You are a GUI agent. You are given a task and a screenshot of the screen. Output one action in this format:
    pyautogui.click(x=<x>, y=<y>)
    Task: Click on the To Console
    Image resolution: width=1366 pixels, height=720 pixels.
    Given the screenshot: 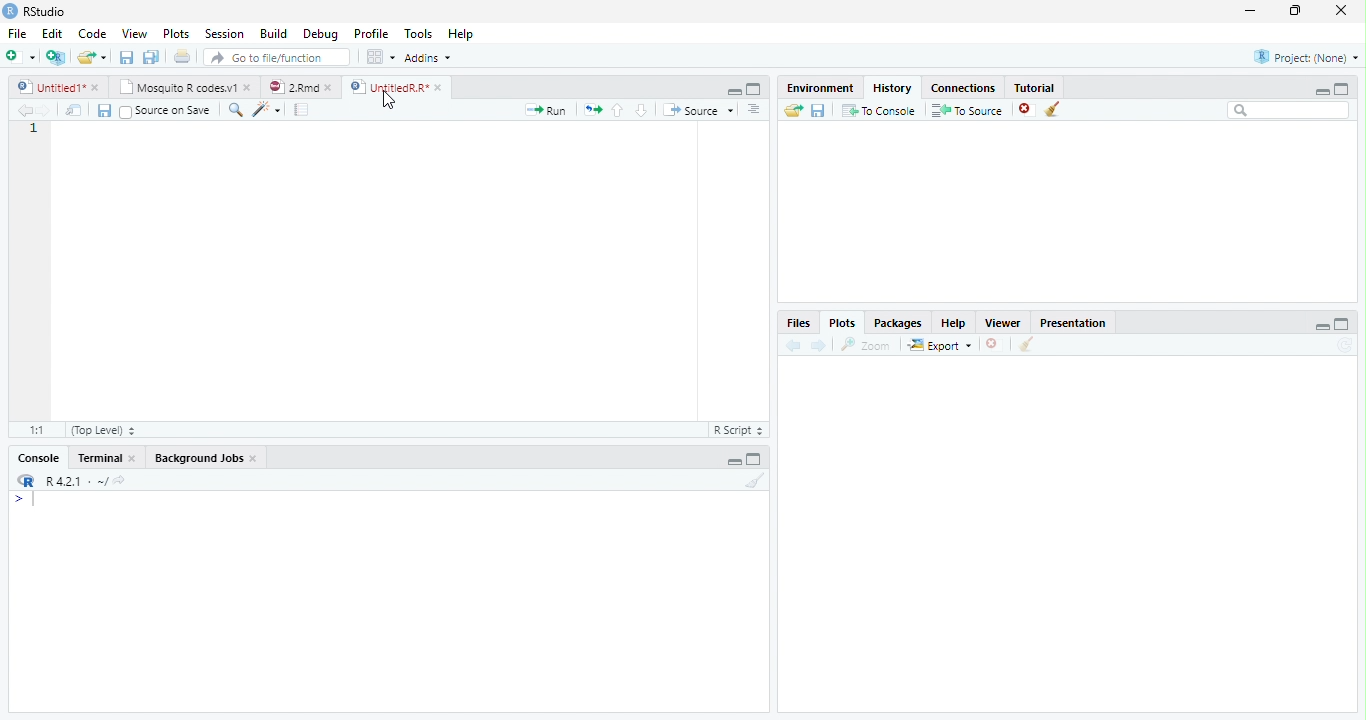 What is the action you would take?
    pyautogui.click(x=879, y=113)
    